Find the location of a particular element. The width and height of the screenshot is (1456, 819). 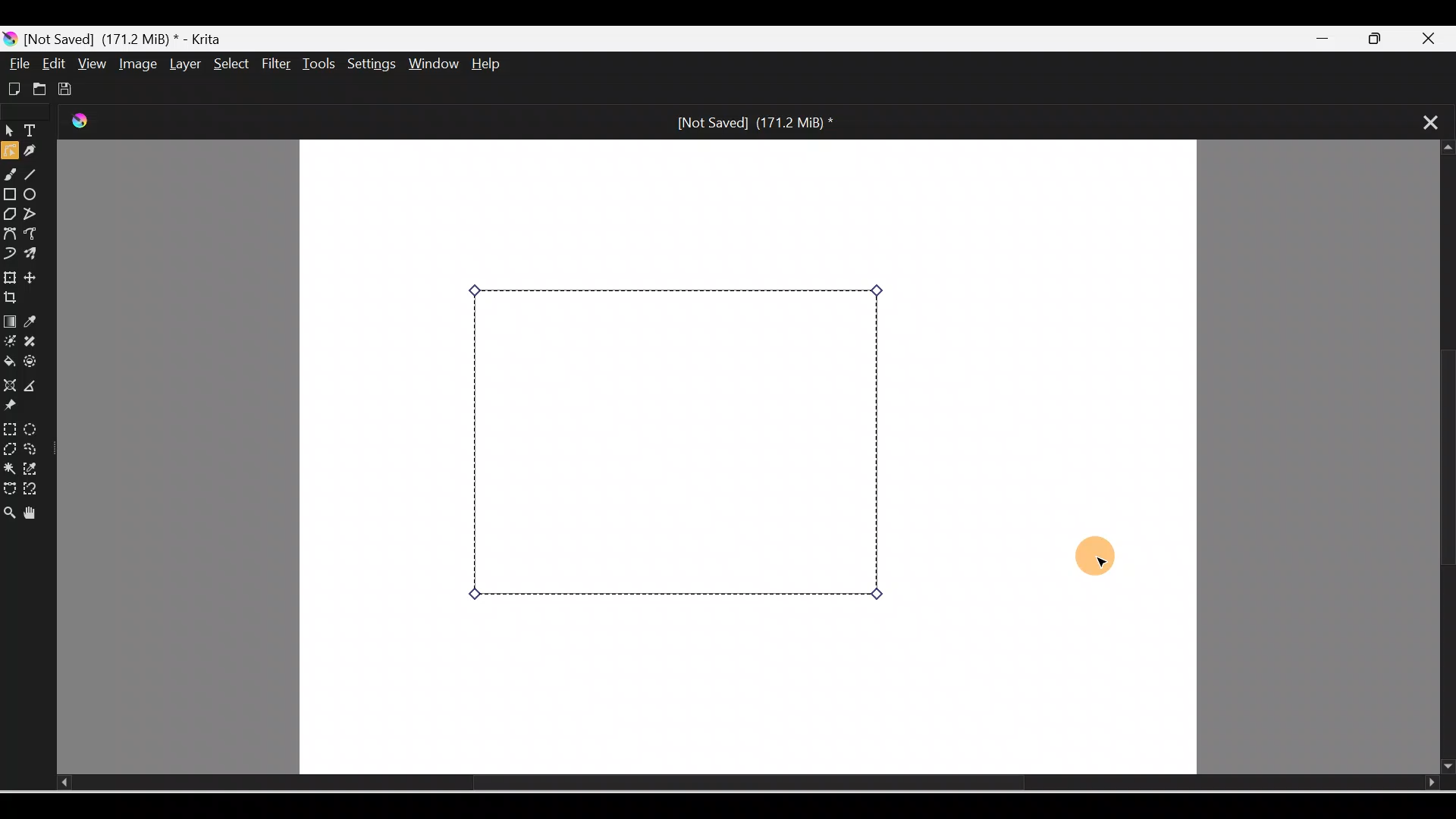

Freehand selection tool is located at coordinates (35, 449).